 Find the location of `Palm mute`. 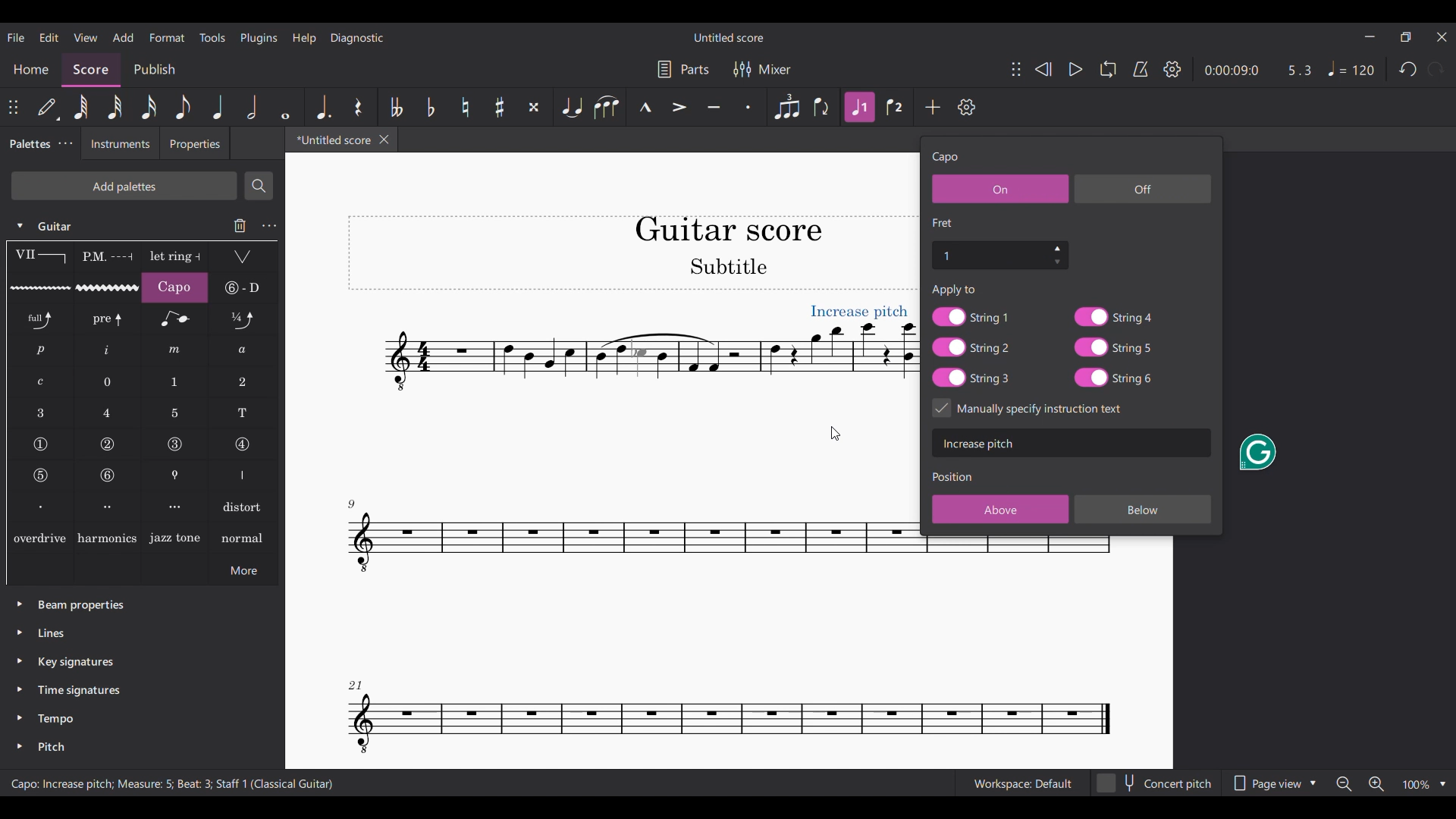

Palm mute is located at coordinates (106, 257).